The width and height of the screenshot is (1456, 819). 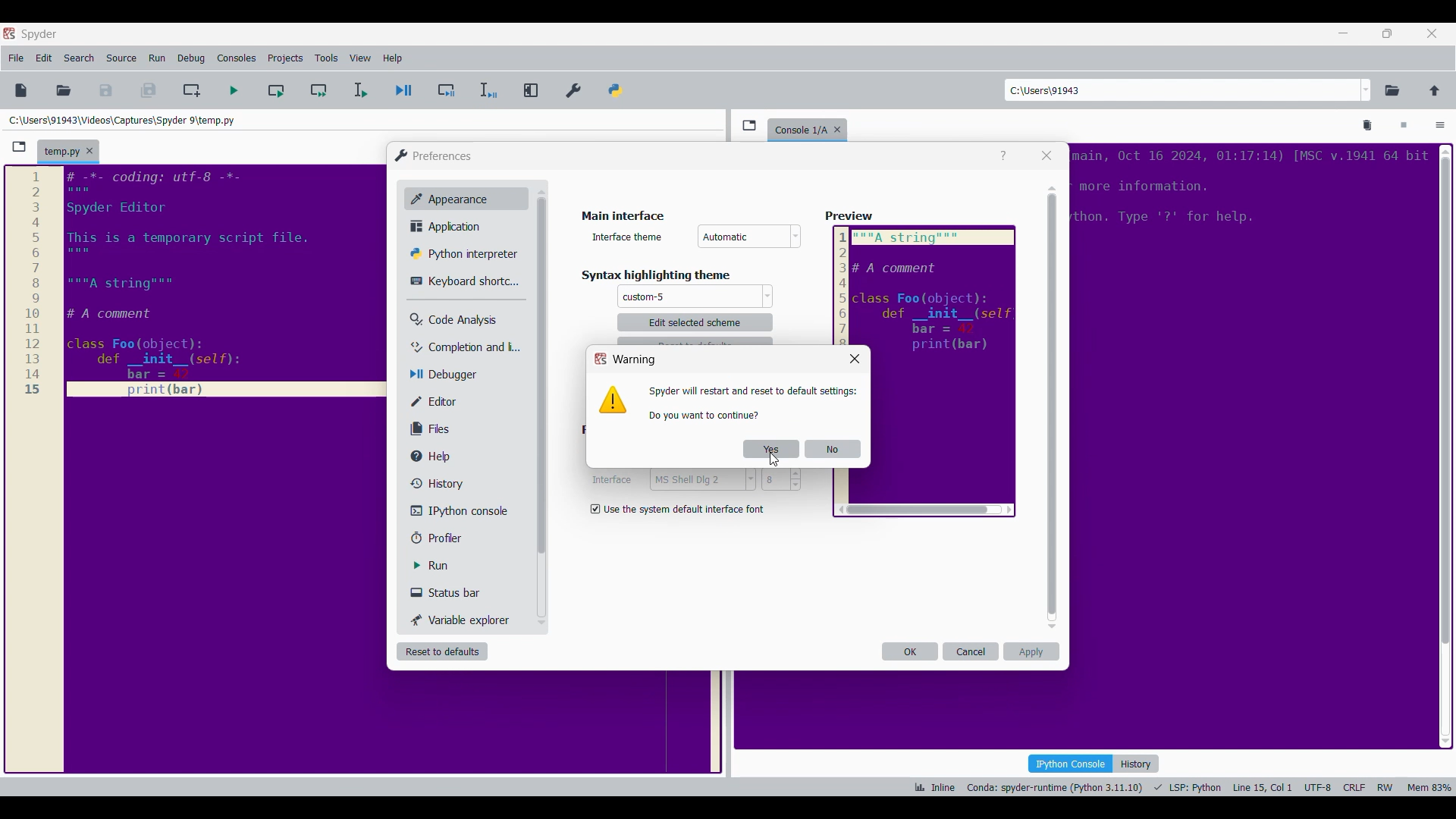 I want to click on Run selection/current line, so click(x=360, y=91).